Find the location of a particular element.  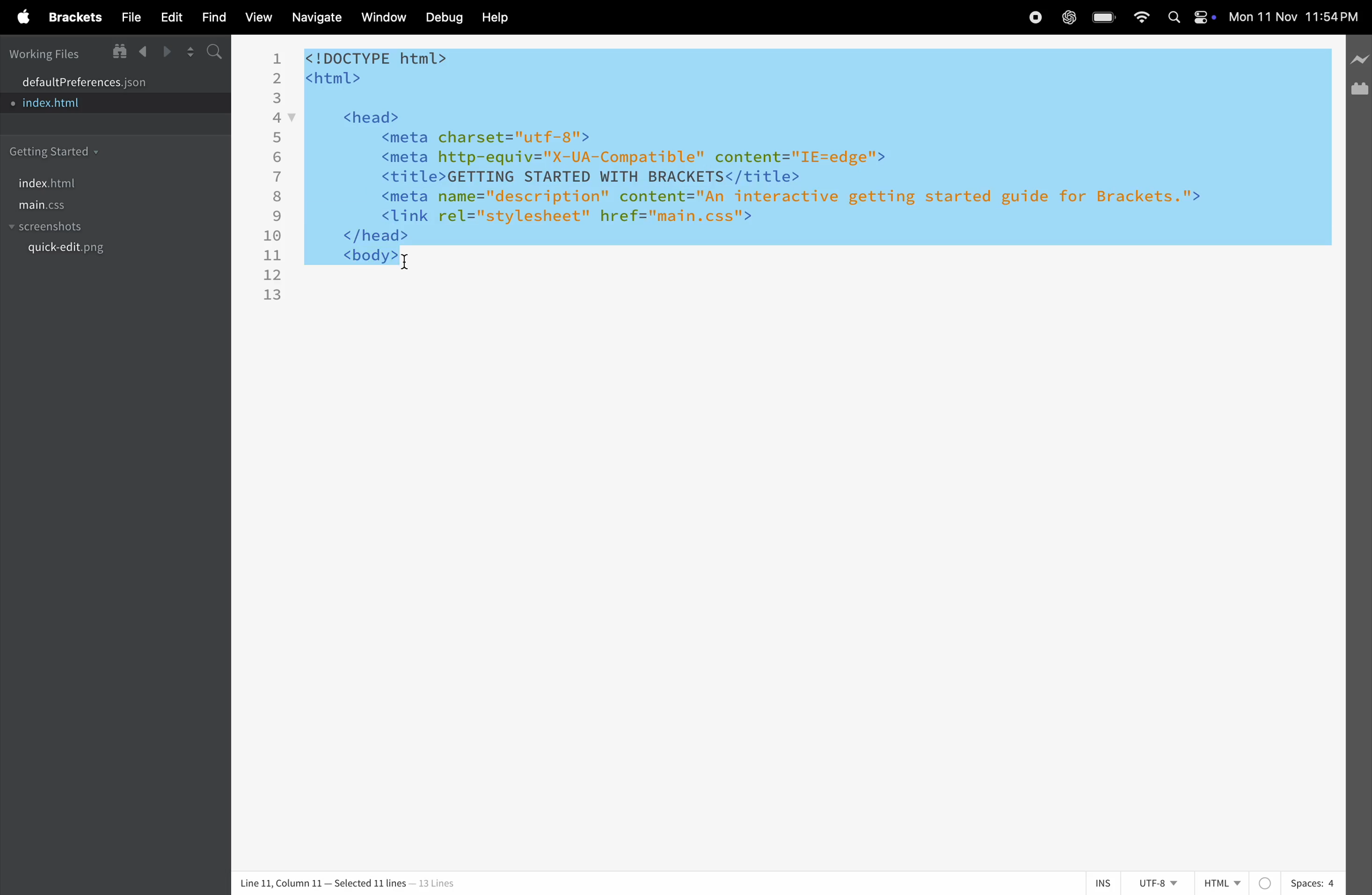

find is located at coordinates (216, 17).